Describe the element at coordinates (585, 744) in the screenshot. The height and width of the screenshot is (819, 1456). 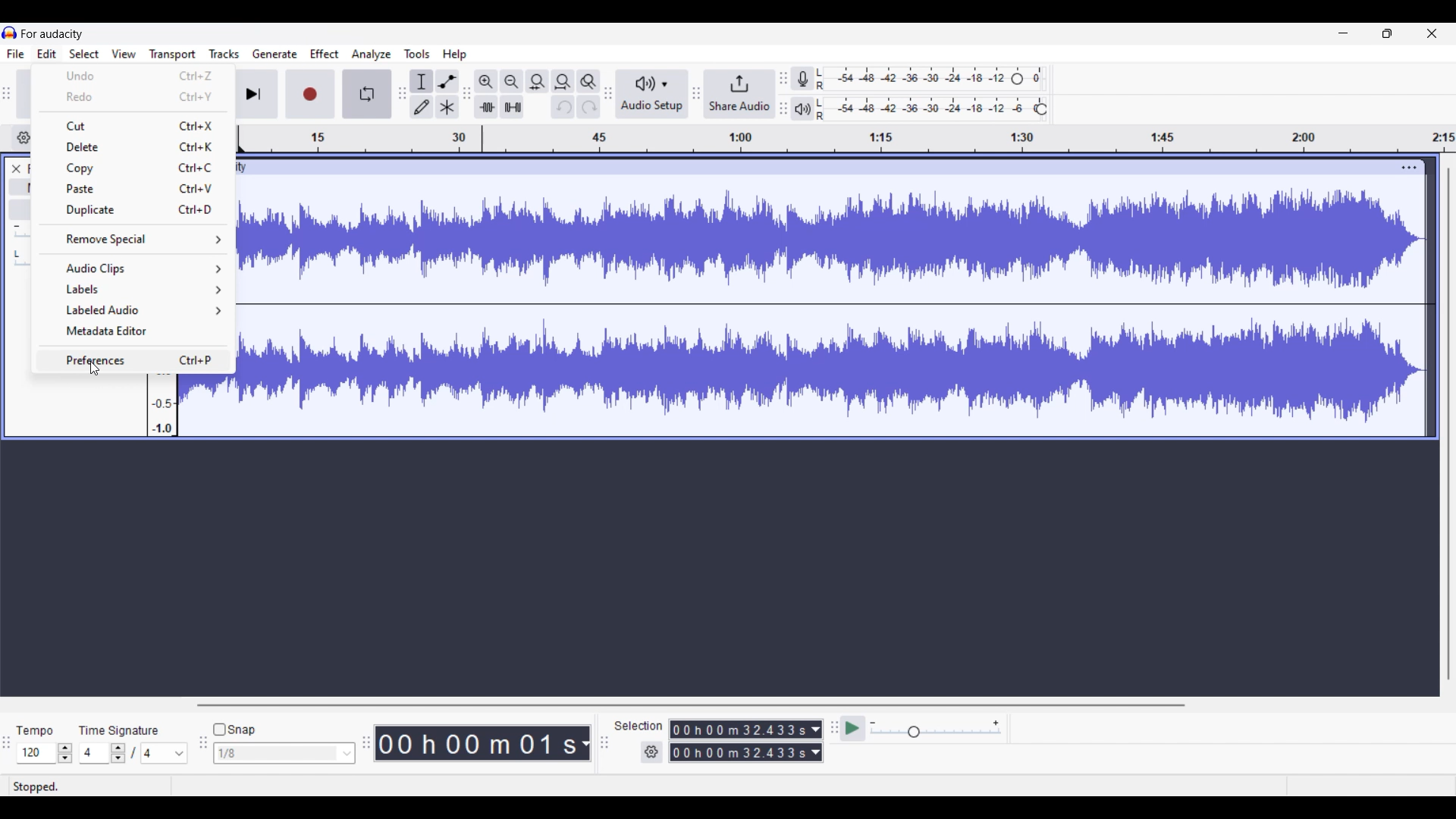
I see `Measurement` at that location.